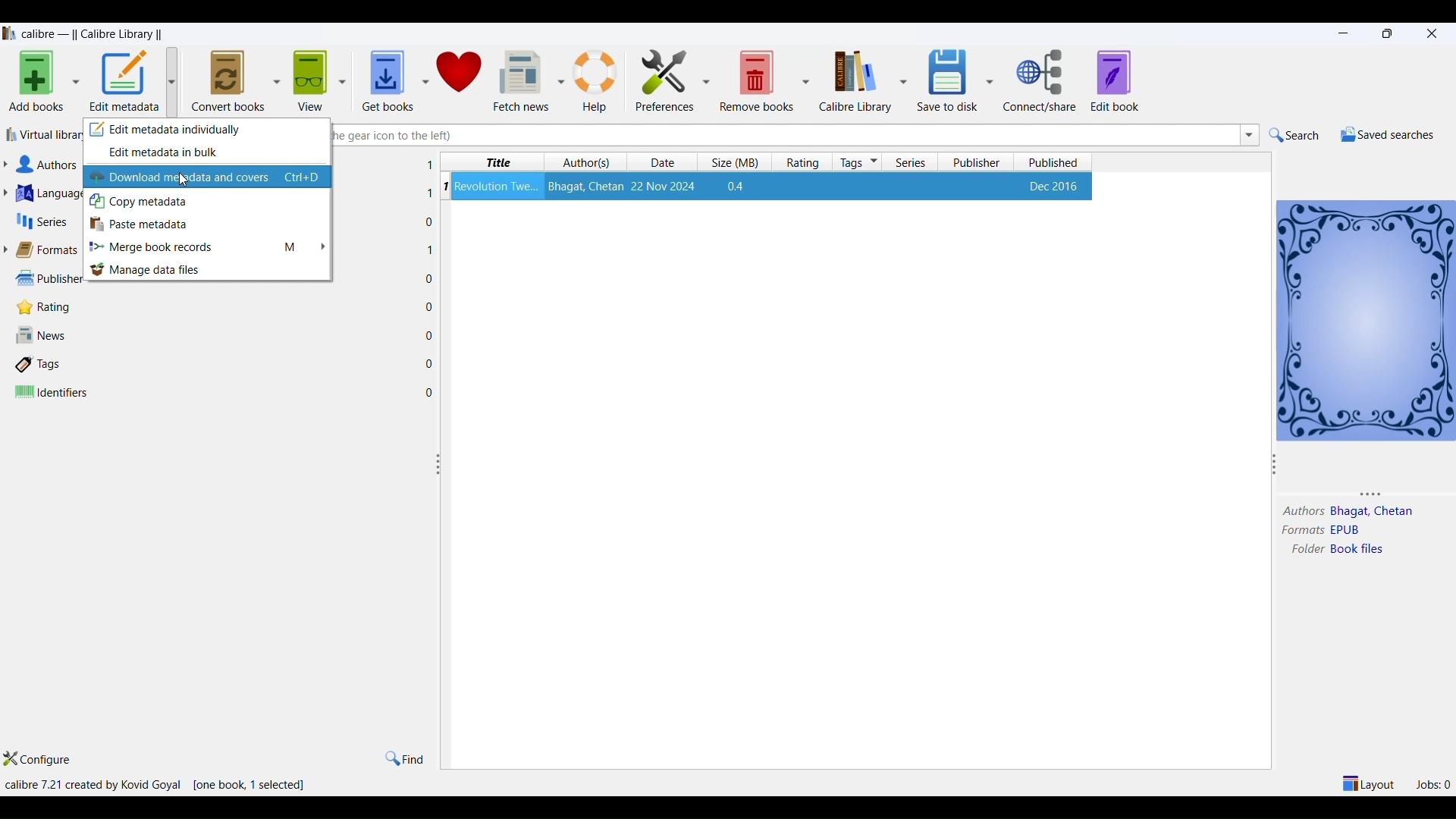  I want to click on tags, so click(42, 366).